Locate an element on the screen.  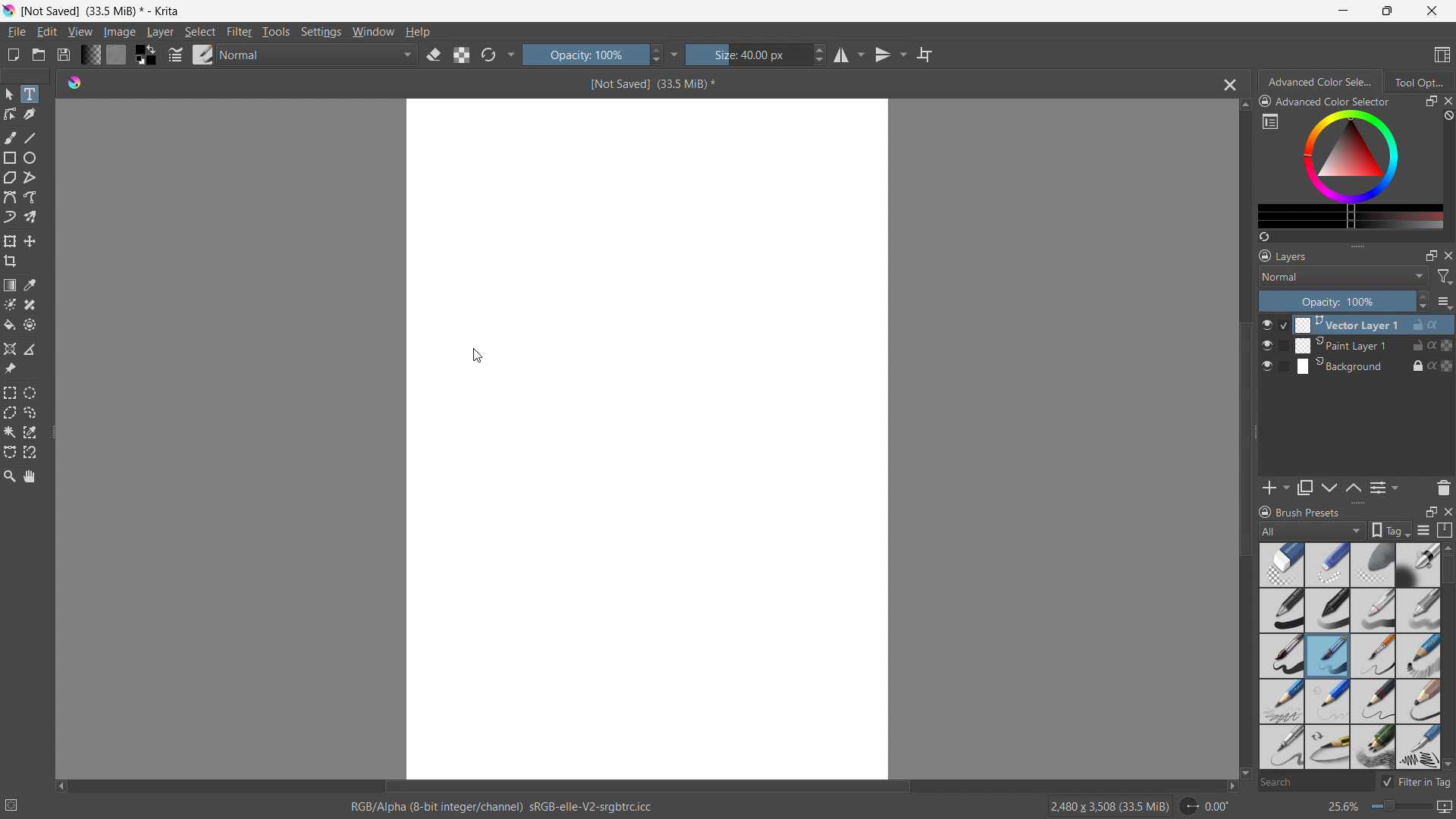
line tool is located at coordinates (31, 137).